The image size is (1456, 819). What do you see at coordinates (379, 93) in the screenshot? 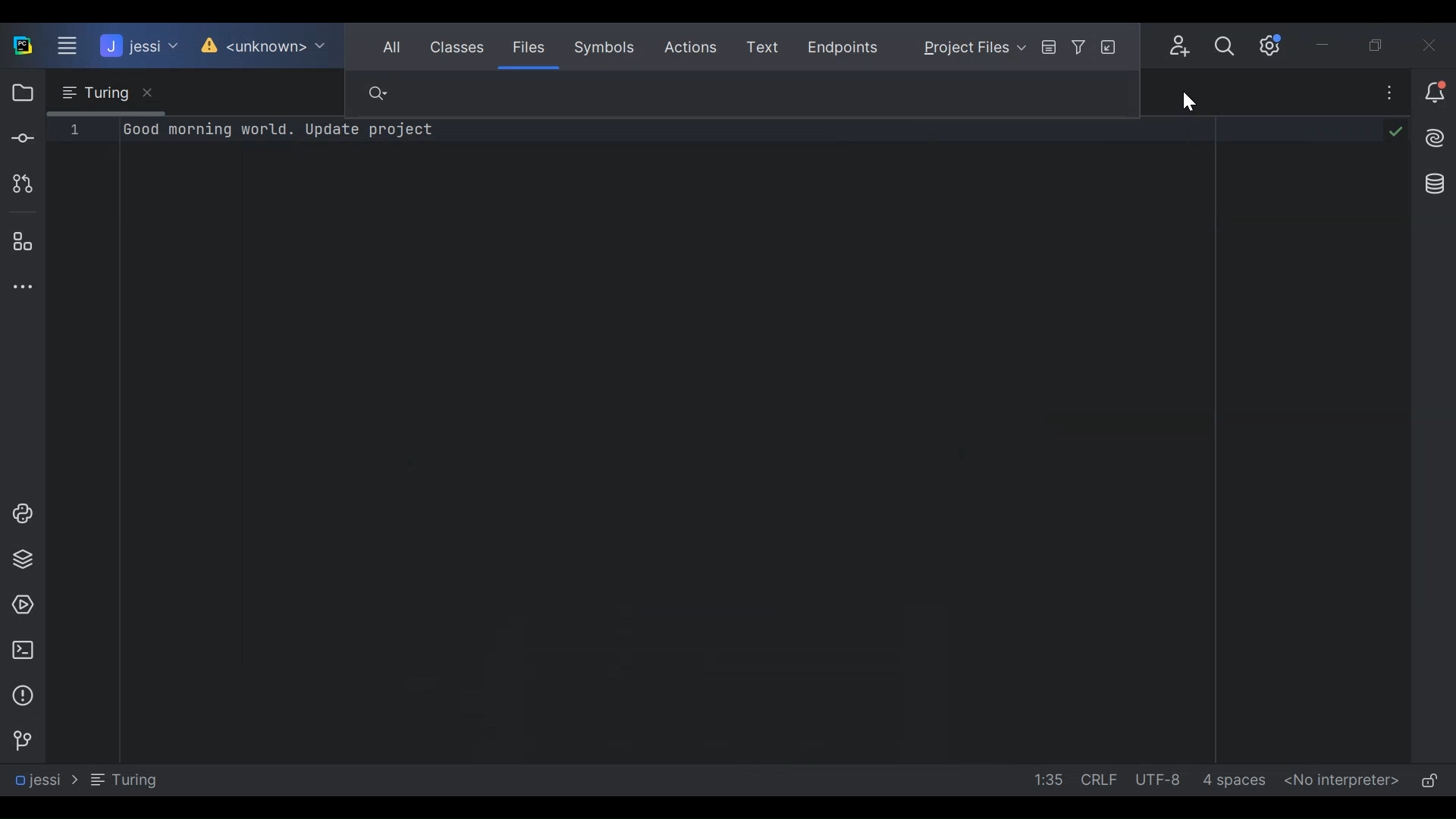
I see `Find` at bounding box center [379, 93].